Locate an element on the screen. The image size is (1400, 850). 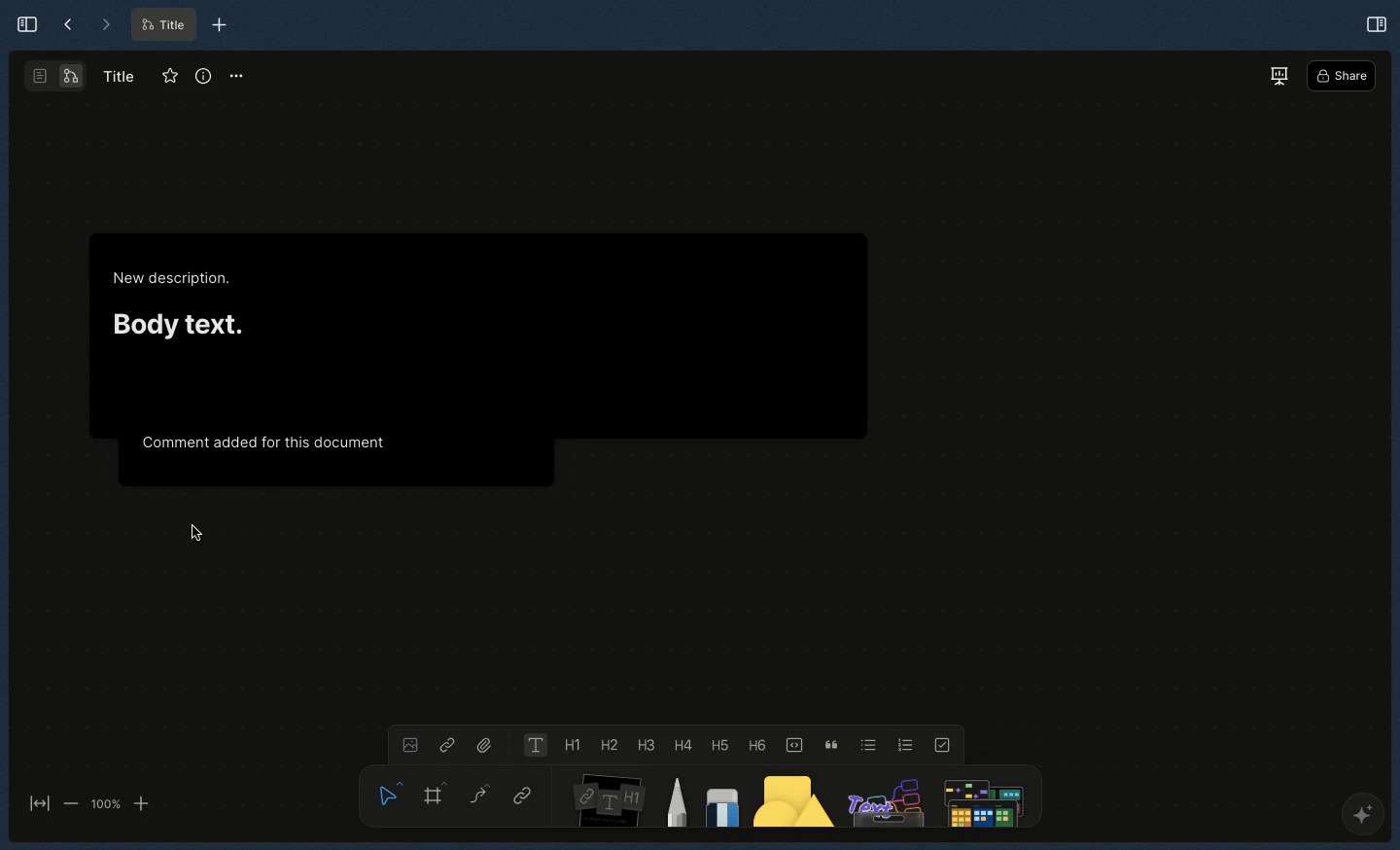
Second layout is located at coordinates (57, 76).